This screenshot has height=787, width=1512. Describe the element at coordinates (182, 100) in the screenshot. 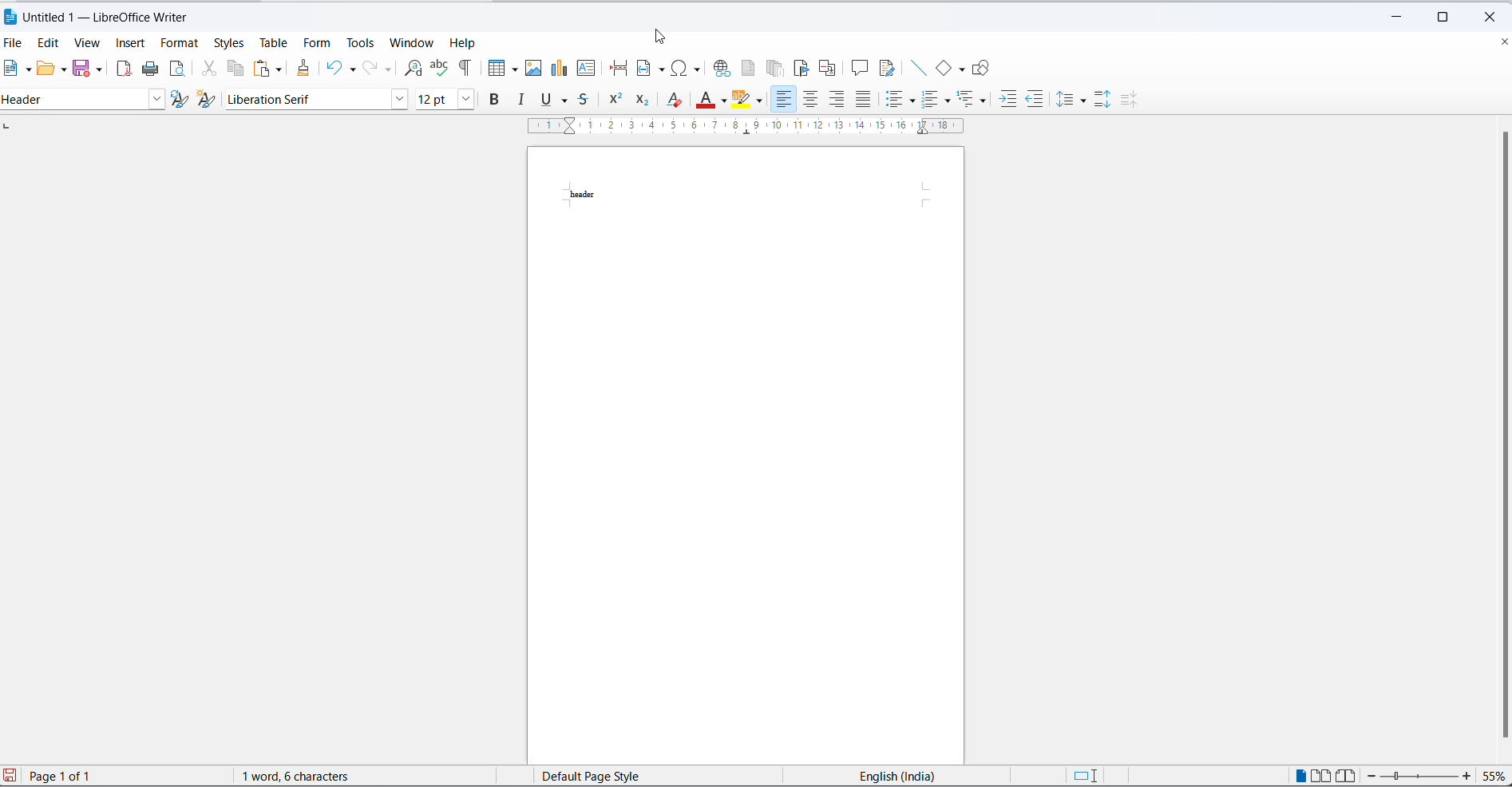

I see `update selected options` at that location.